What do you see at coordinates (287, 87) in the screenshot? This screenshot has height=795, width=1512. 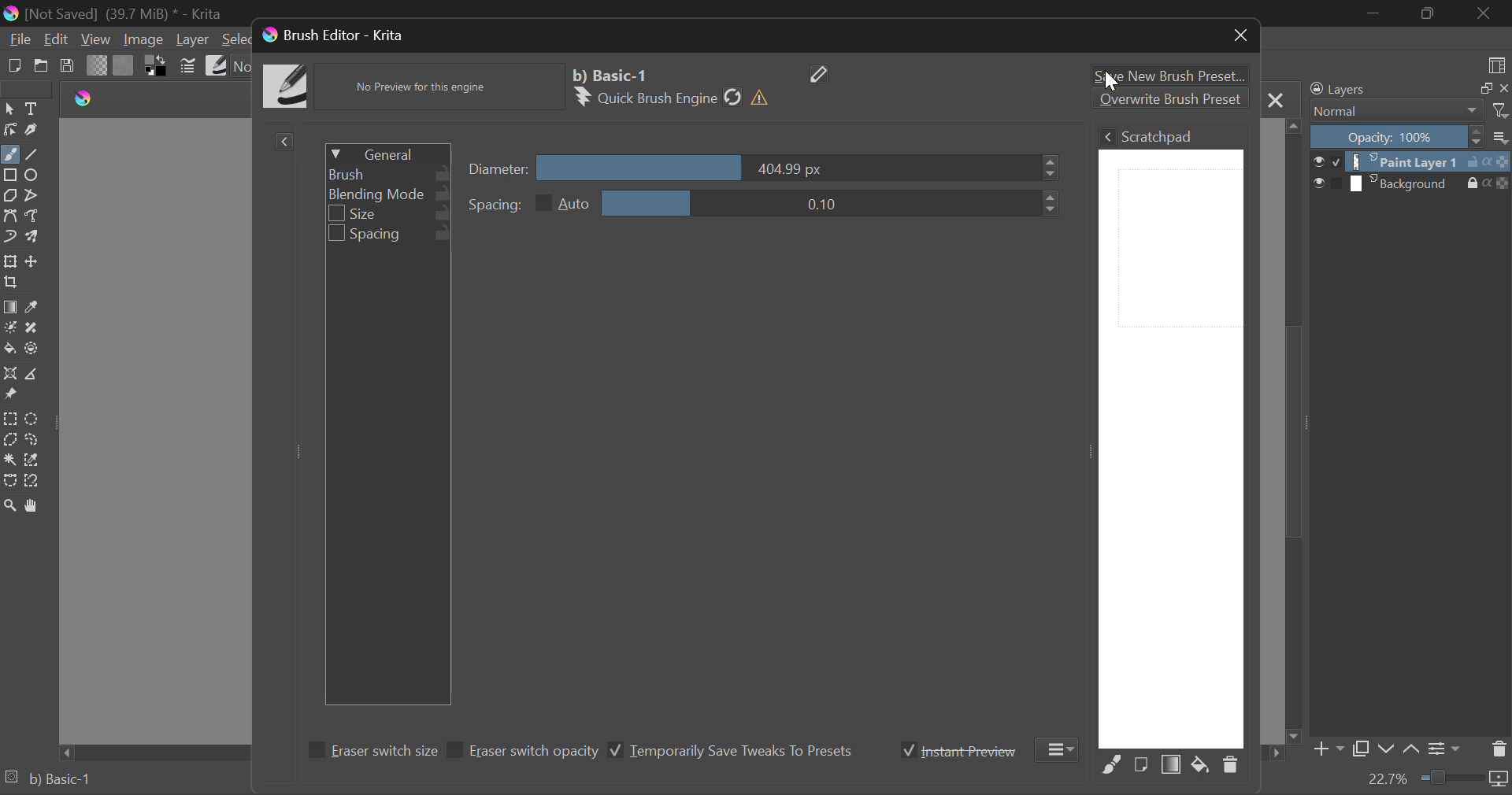 I see `Brush Icon` at bounding box center [287, 87].